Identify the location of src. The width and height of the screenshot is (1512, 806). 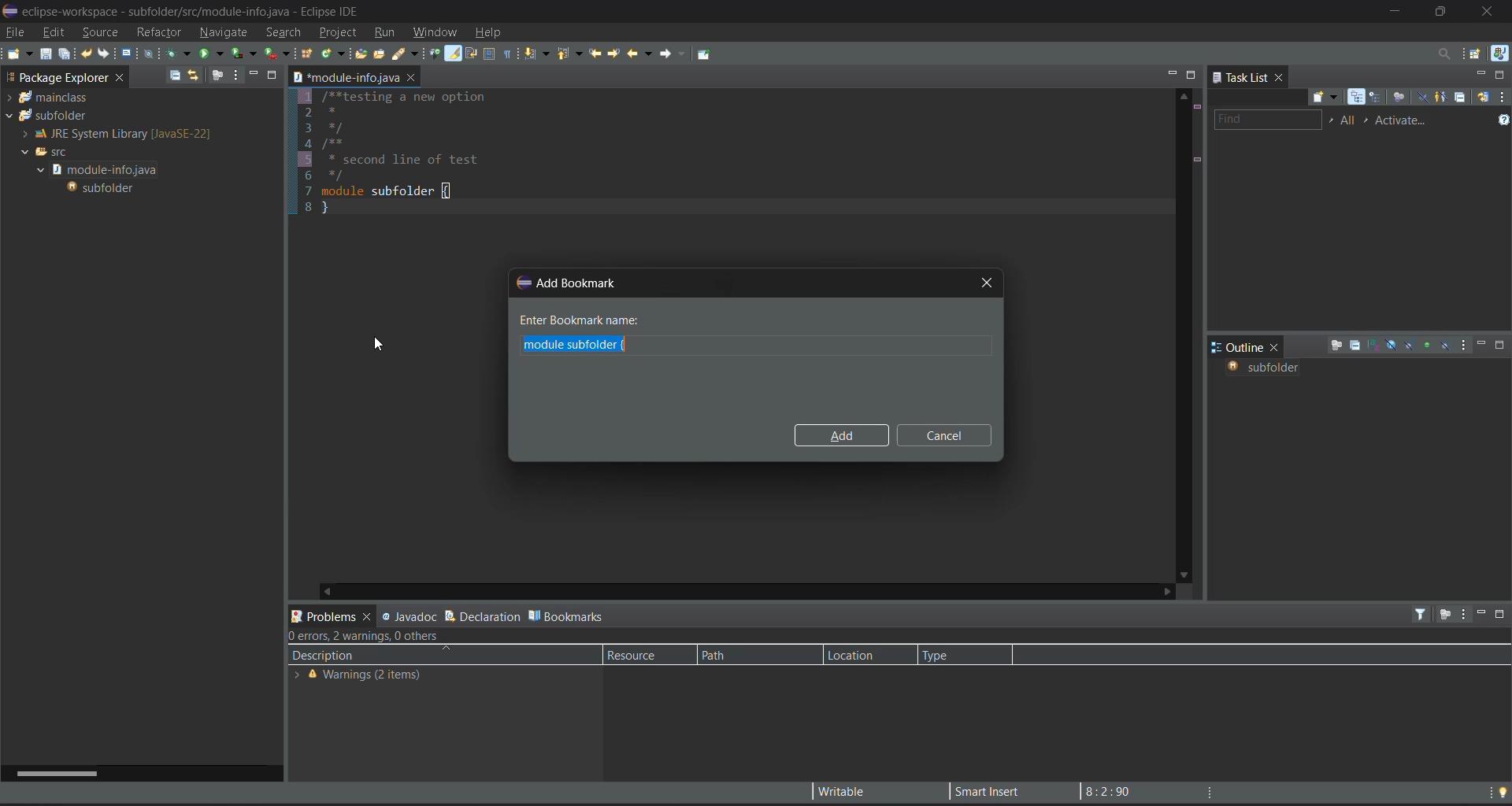
(48, 150).